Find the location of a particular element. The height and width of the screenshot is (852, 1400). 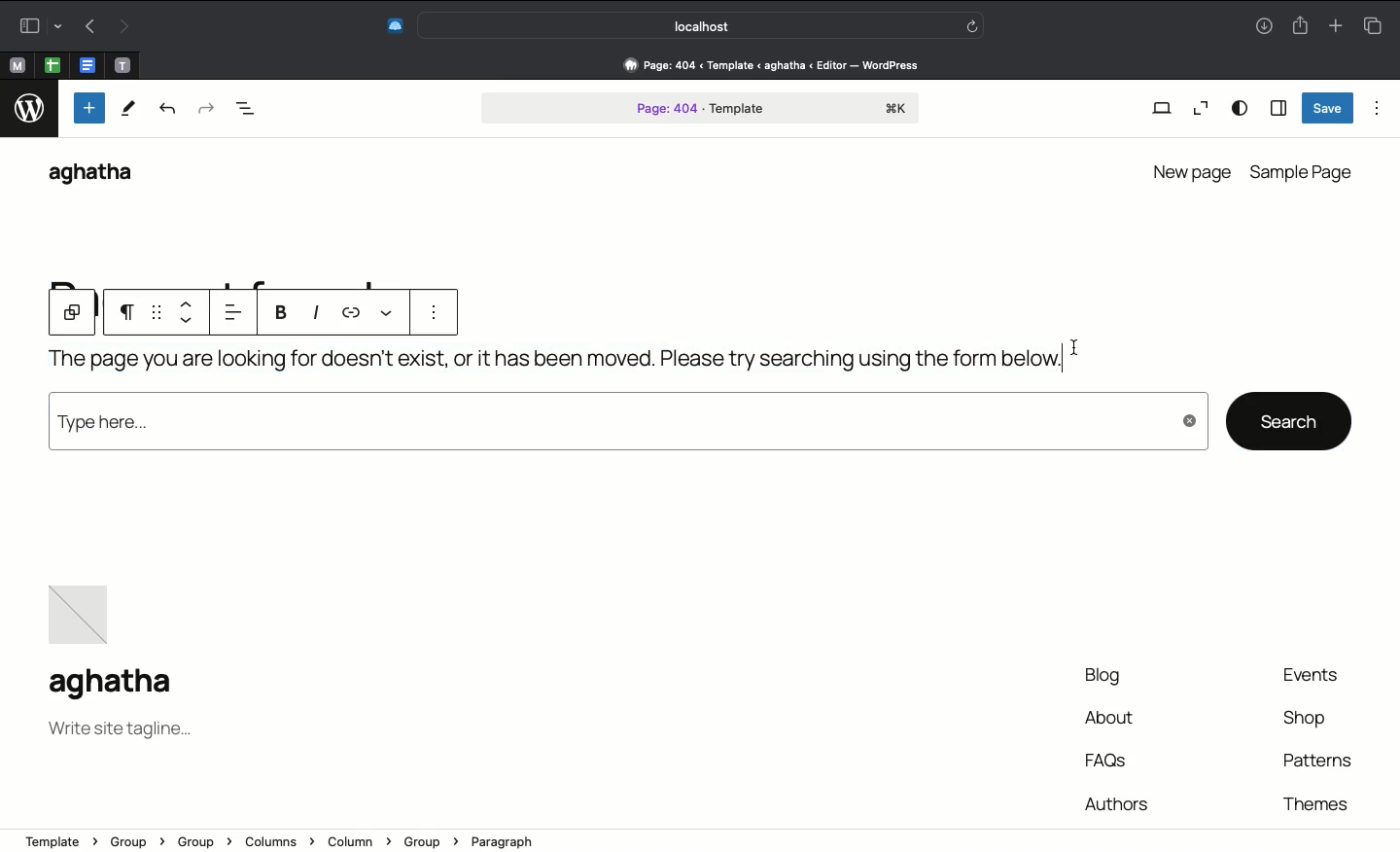

search is located at coordinates (1289, 419).